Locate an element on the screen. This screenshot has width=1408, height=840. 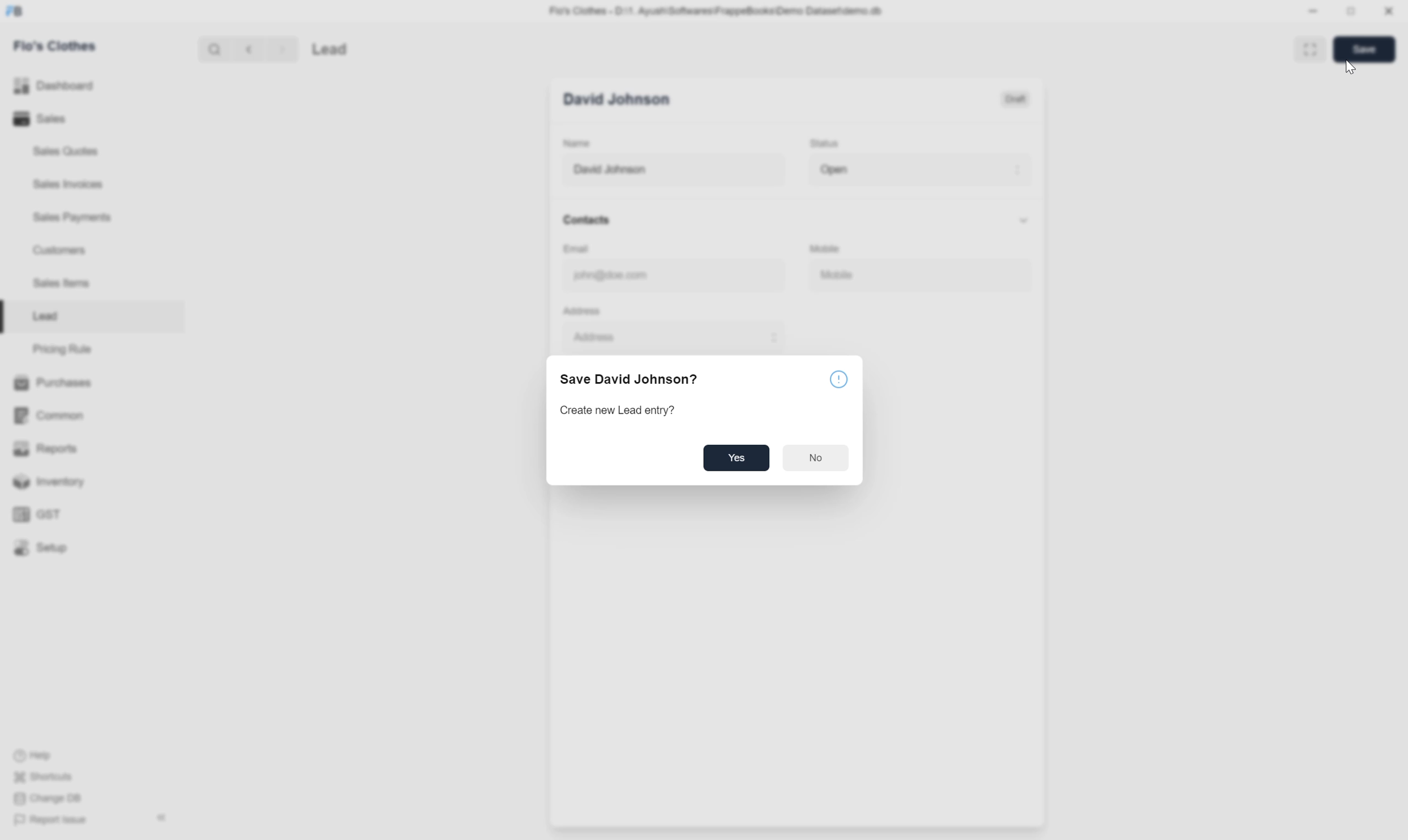
Flo's Clothes is located at coordinates (60, 46).